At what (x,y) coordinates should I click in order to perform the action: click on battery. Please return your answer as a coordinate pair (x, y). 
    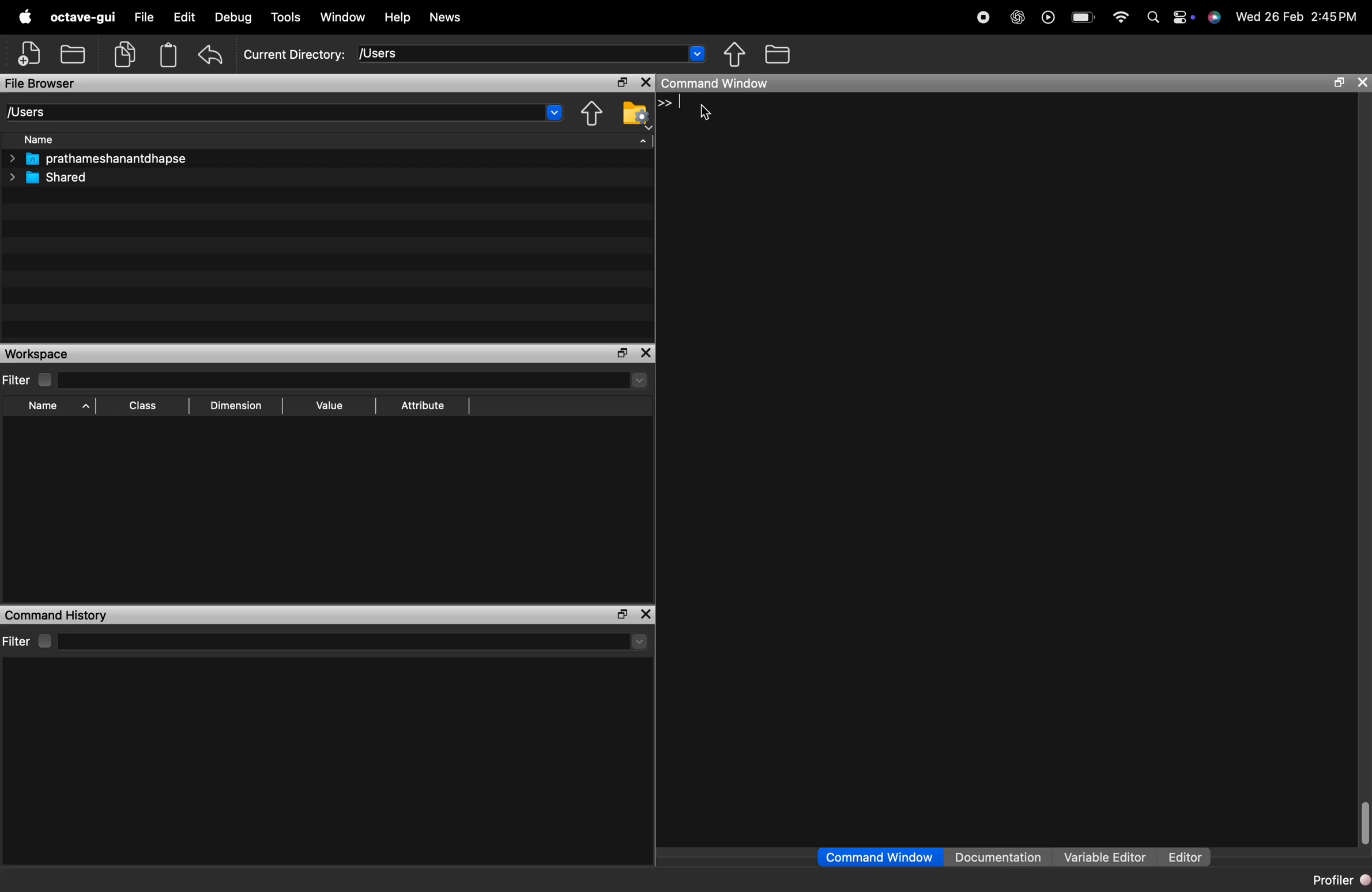
    Looking at the image, I should click on (1081, 16).